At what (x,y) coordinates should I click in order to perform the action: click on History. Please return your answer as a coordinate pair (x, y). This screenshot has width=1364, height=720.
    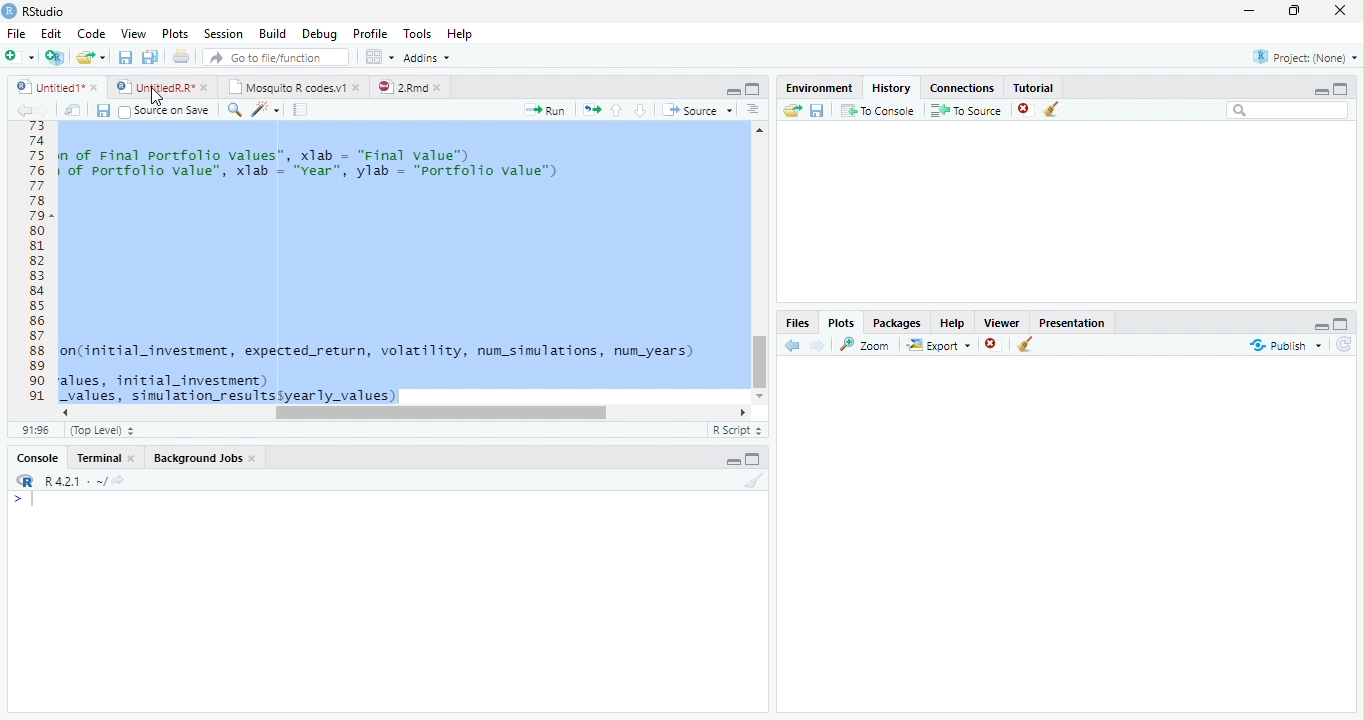
    Looking at the image, I should click on (890, 86).